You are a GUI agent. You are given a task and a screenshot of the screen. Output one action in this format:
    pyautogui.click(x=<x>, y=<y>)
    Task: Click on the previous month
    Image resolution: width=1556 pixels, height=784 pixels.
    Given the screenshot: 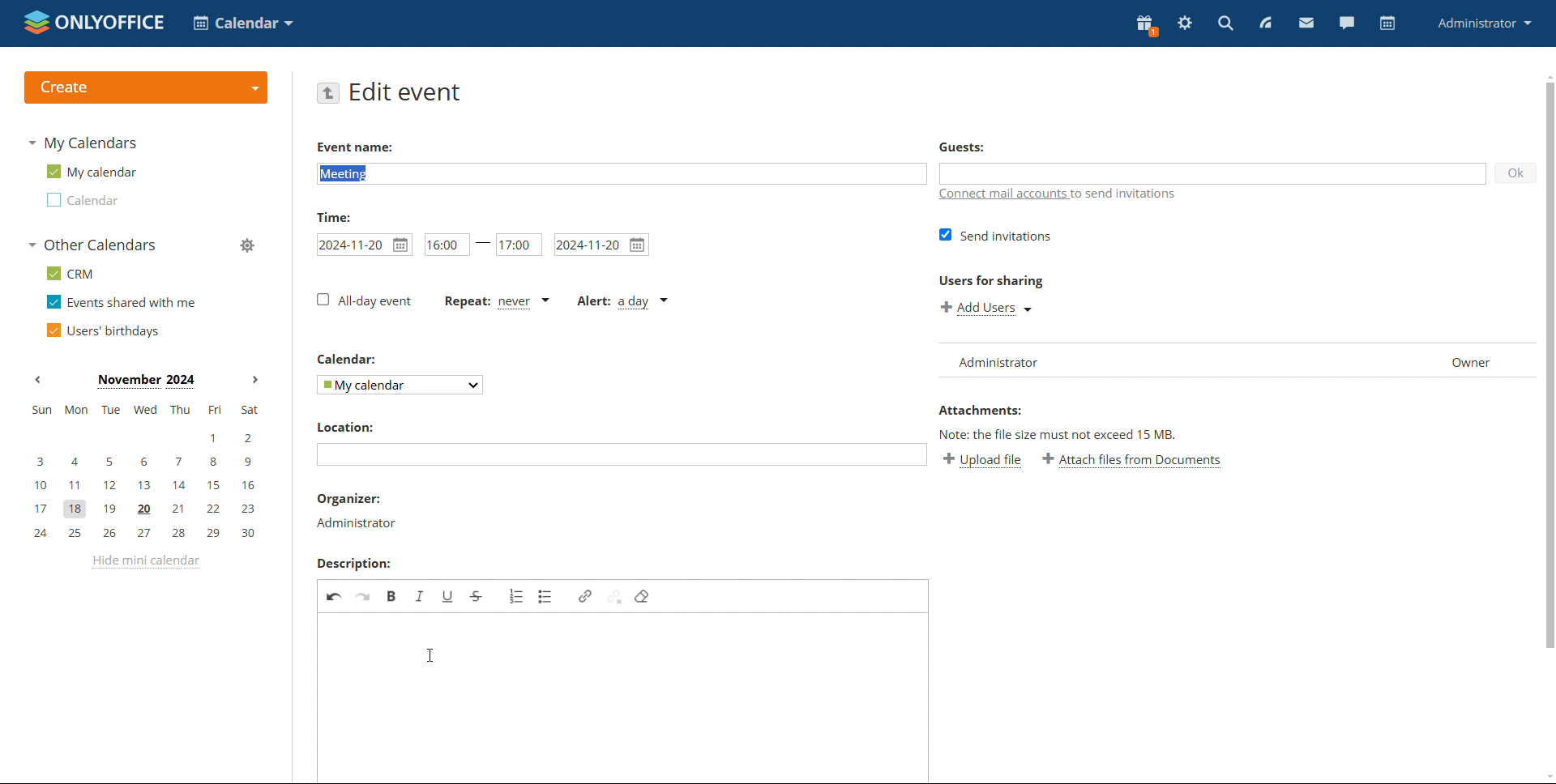 What is the action you would take?
    pyautogui.click(x=37, y=380)
    